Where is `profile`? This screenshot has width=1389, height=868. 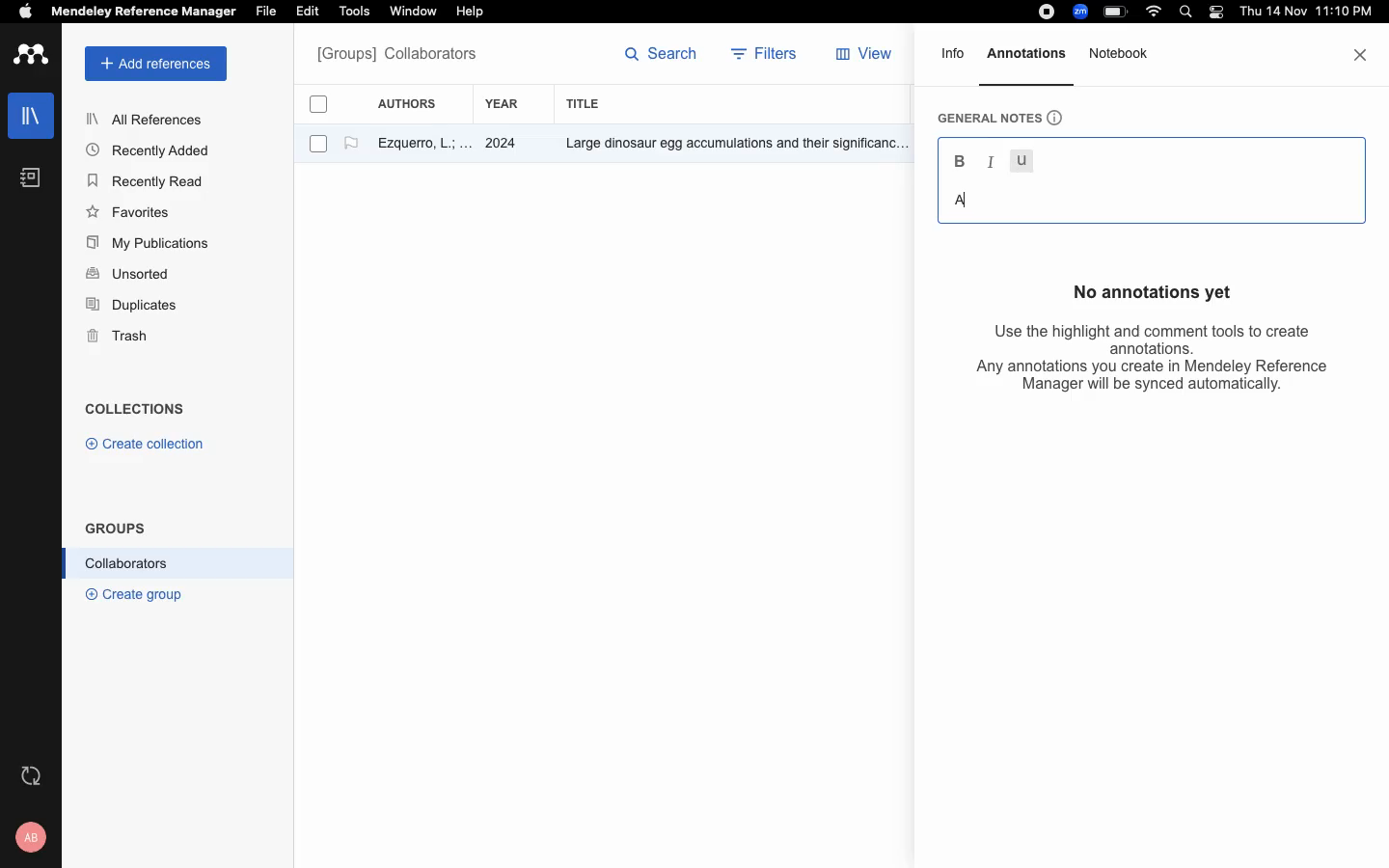 profile is located at coordinates (34, 837).